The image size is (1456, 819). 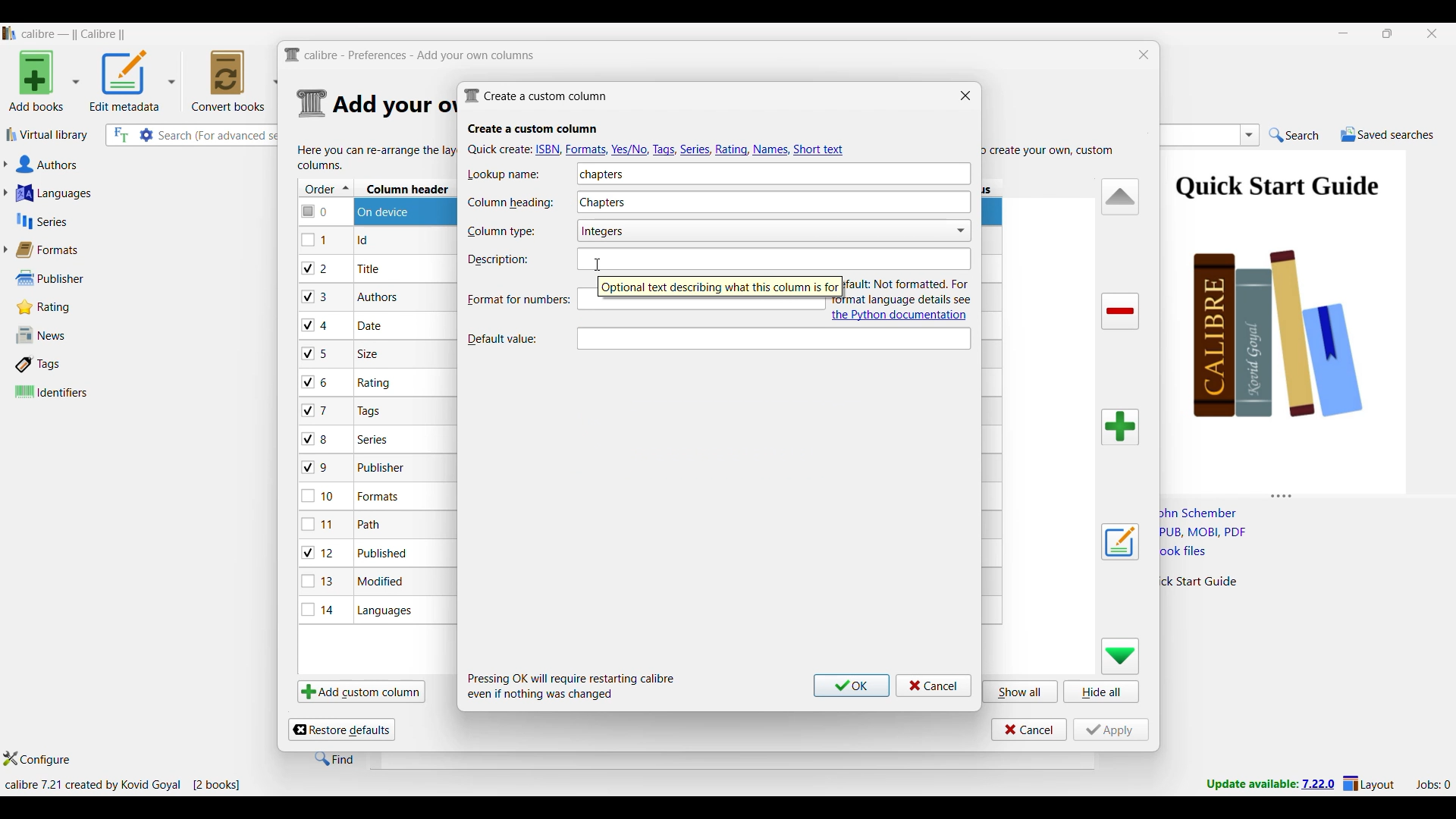 I want to click on Cursor clikcing on Description text box, so click(x=598, y=265).